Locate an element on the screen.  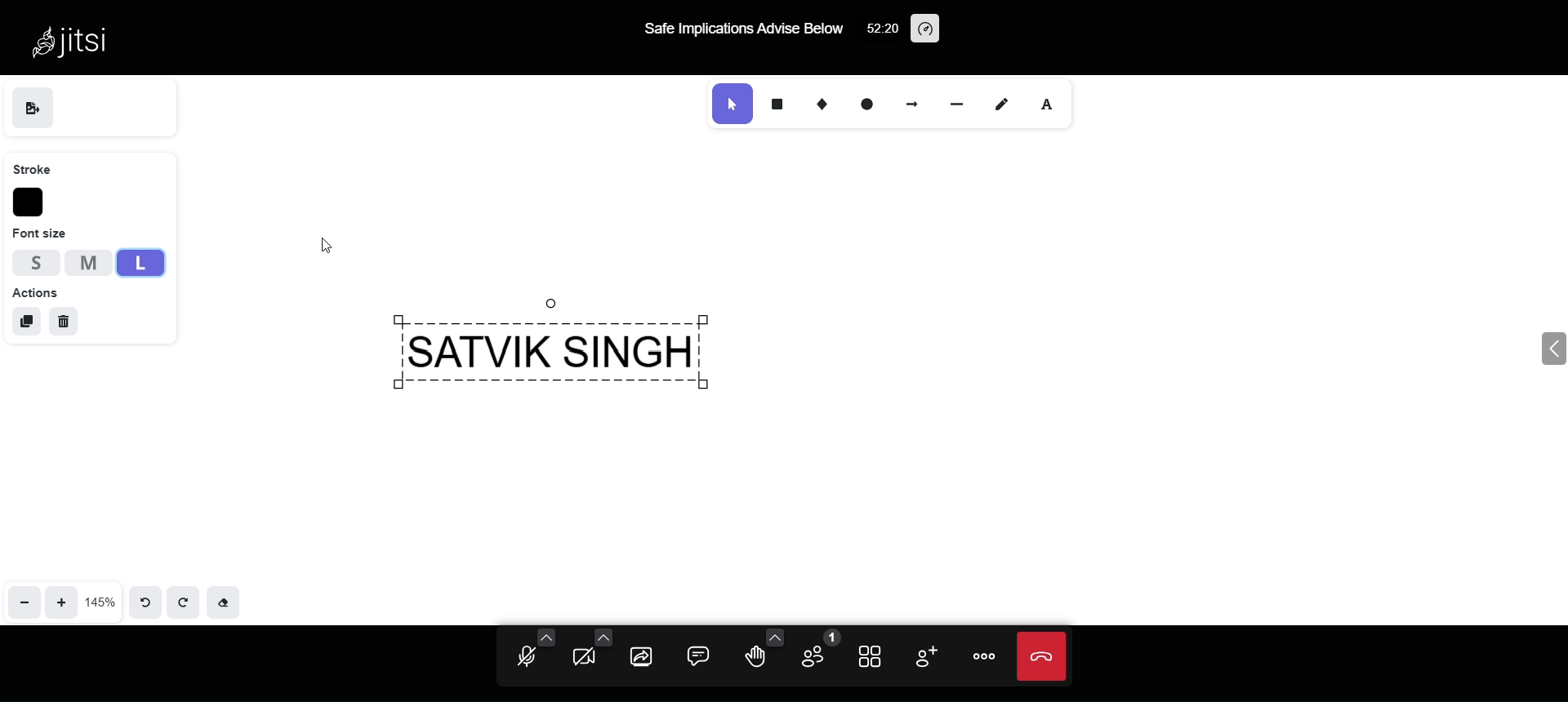
raise your hand is located at coordinates (764, 652).